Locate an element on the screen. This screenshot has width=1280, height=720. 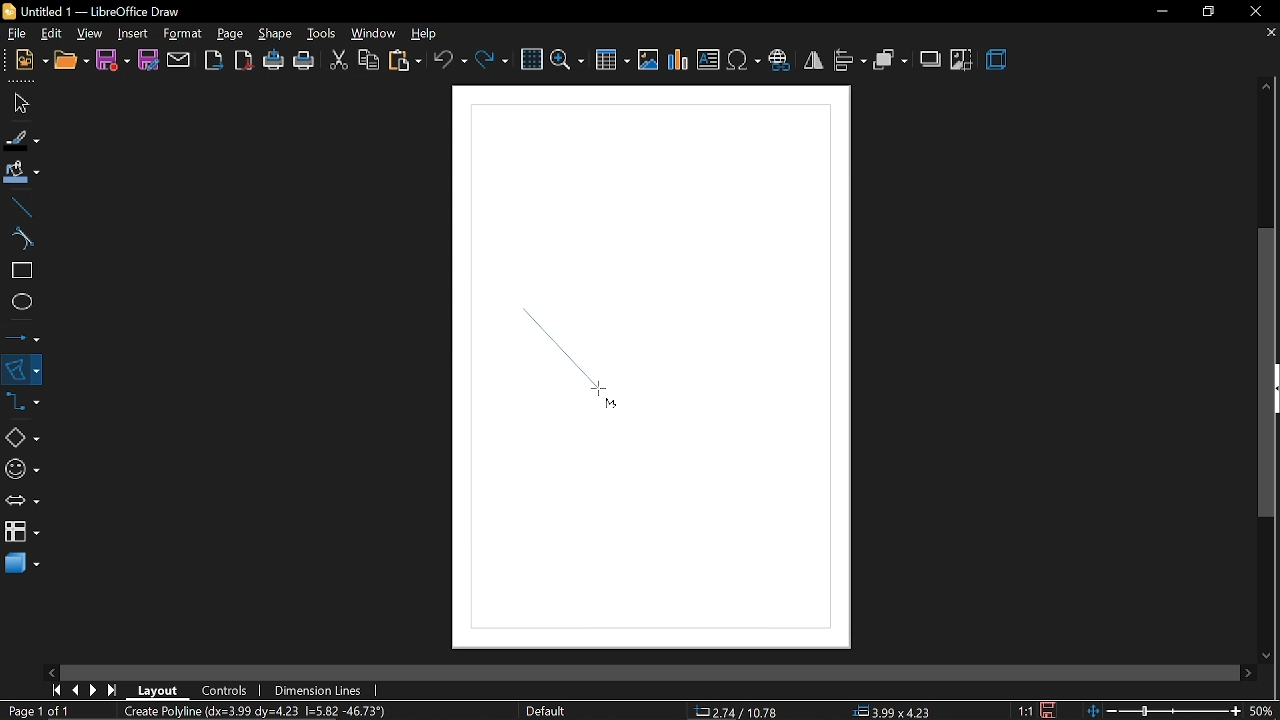
crop is located at coordinates (961, 60).